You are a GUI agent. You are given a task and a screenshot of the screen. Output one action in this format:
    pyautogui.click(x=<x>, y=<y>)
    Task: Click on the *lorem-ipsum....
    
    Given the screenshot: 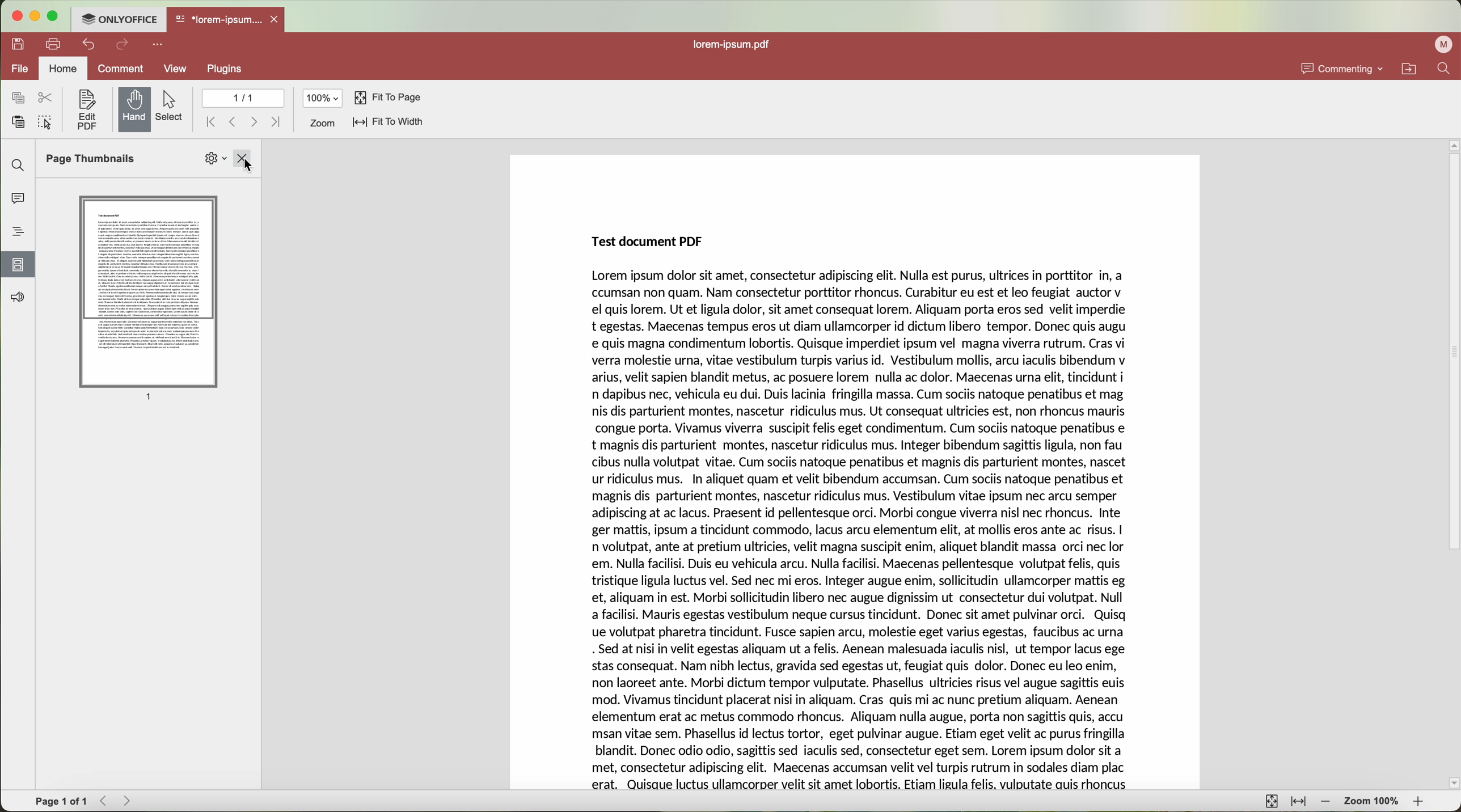 What is the action you would take?
    pyautogui.click(x=219, y=18)
    